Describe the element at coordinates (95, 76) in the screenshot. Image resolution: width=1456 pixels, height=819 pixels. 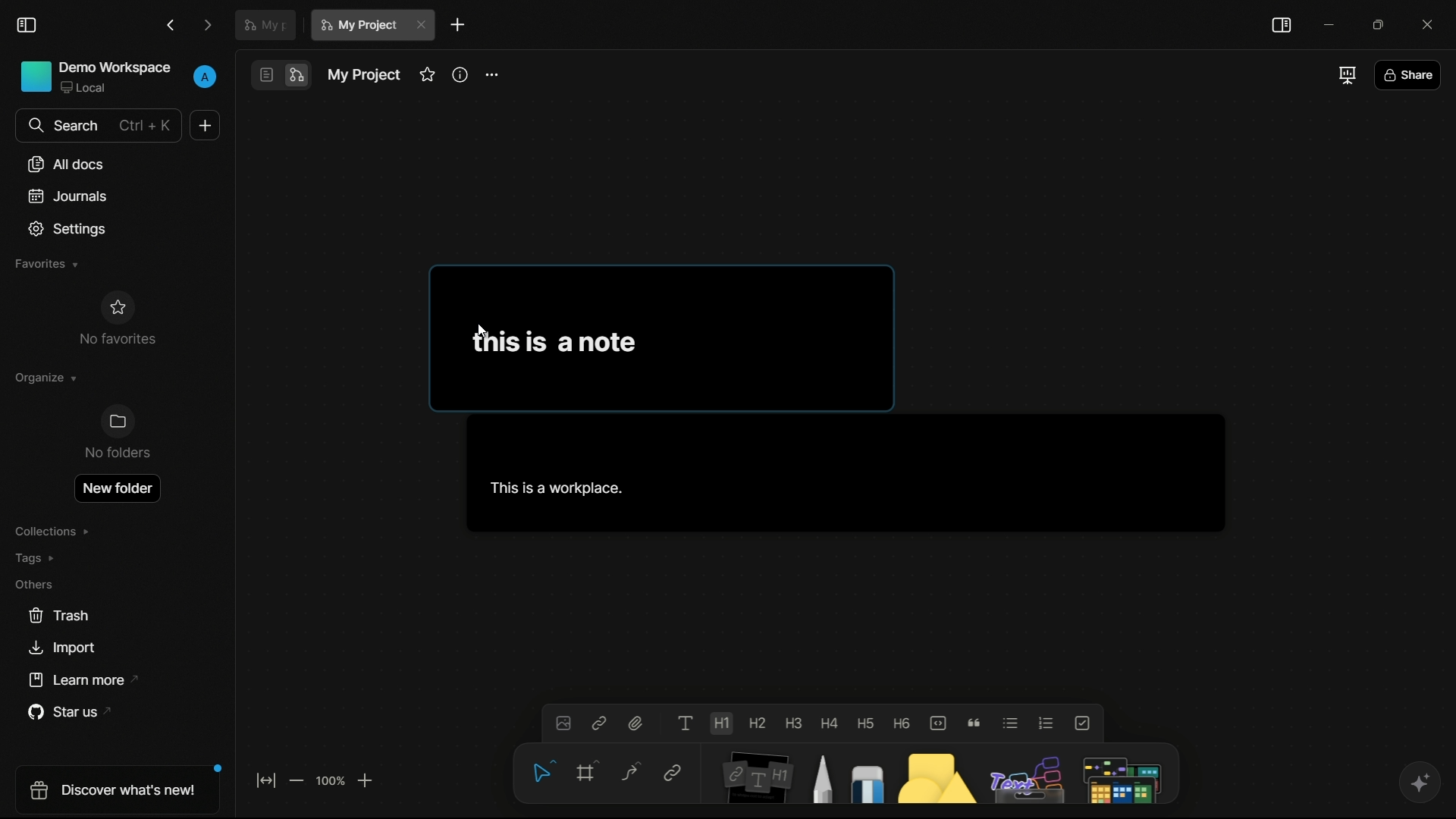
I see `demo workspace` at that location.